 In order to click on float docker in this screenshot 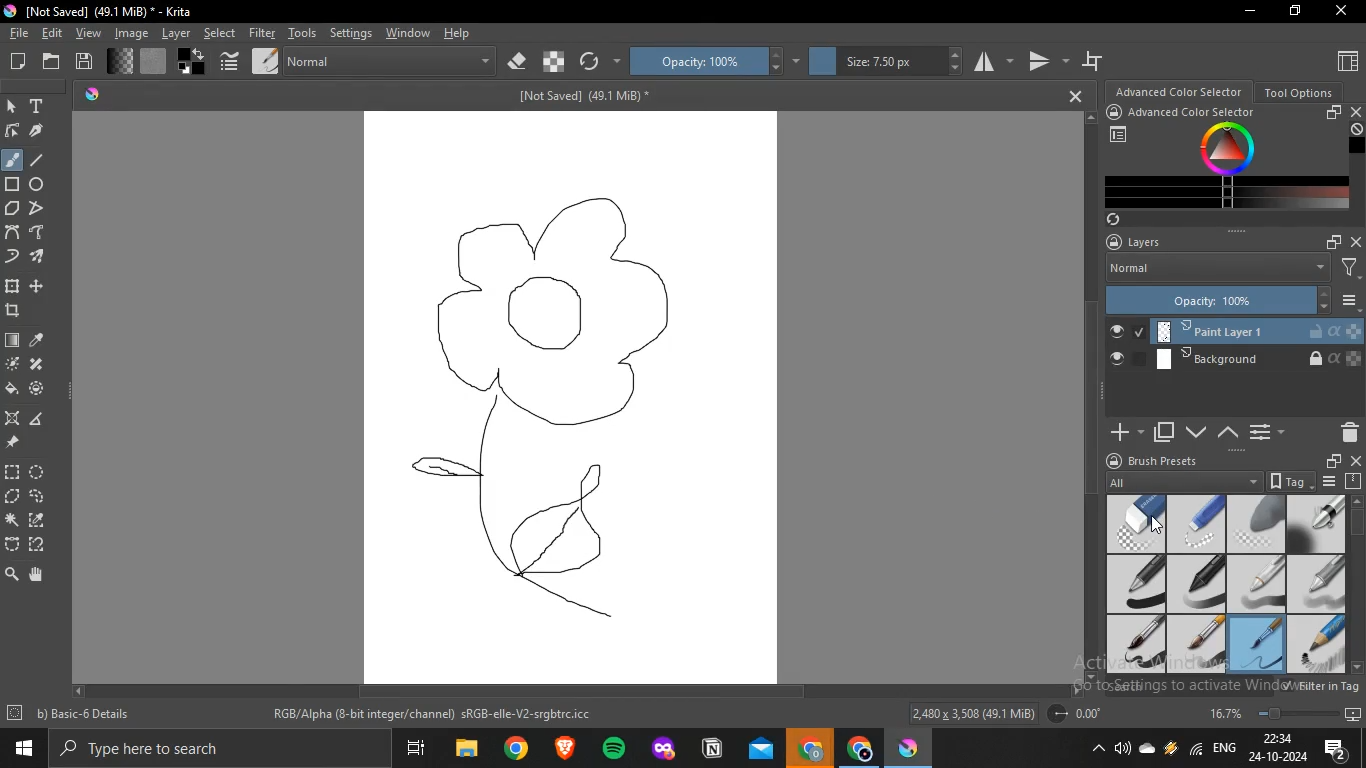, I will do `click(1333, 241)`.